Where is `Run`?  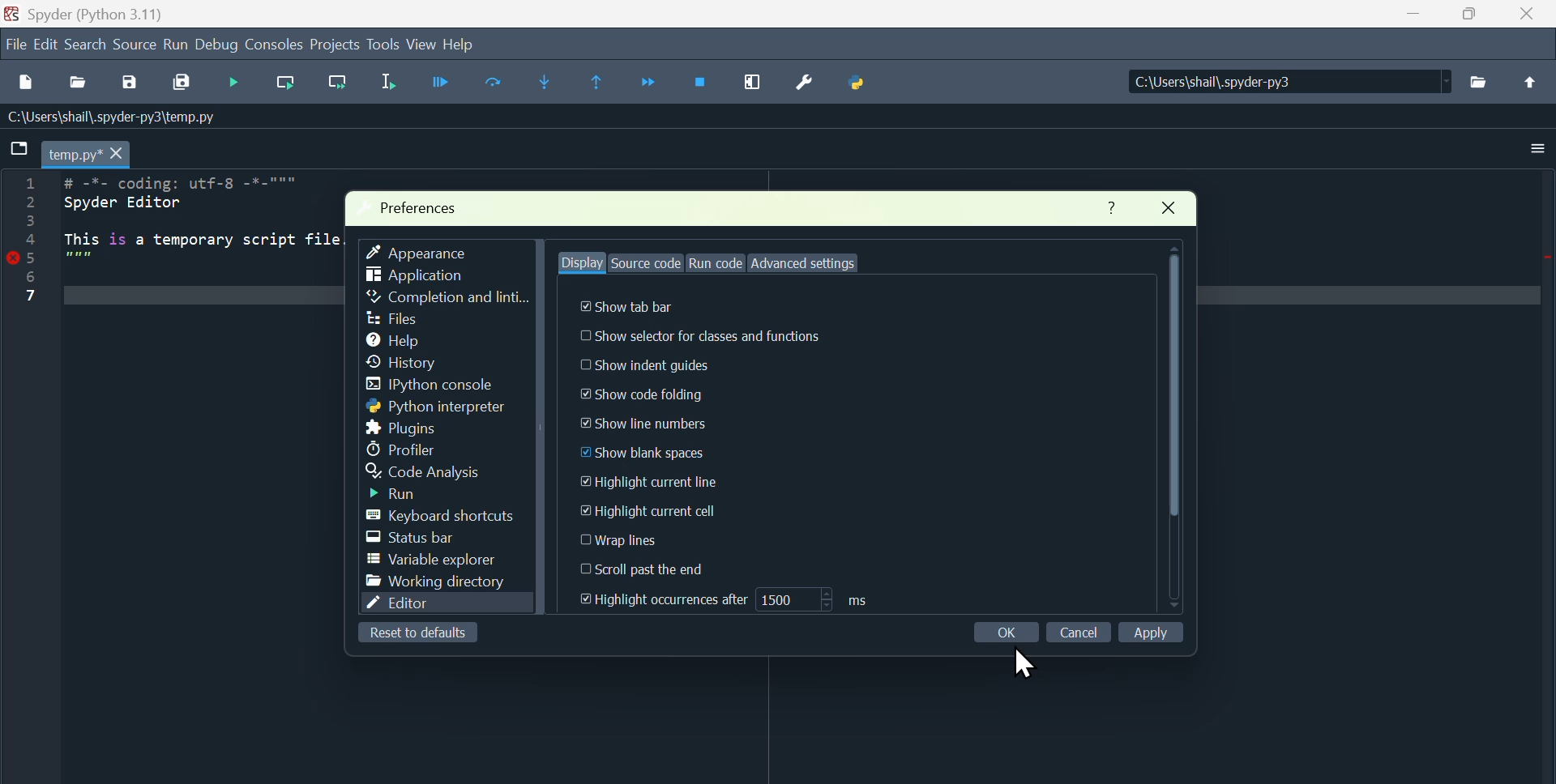 Run is located at coordinates (177, 45).